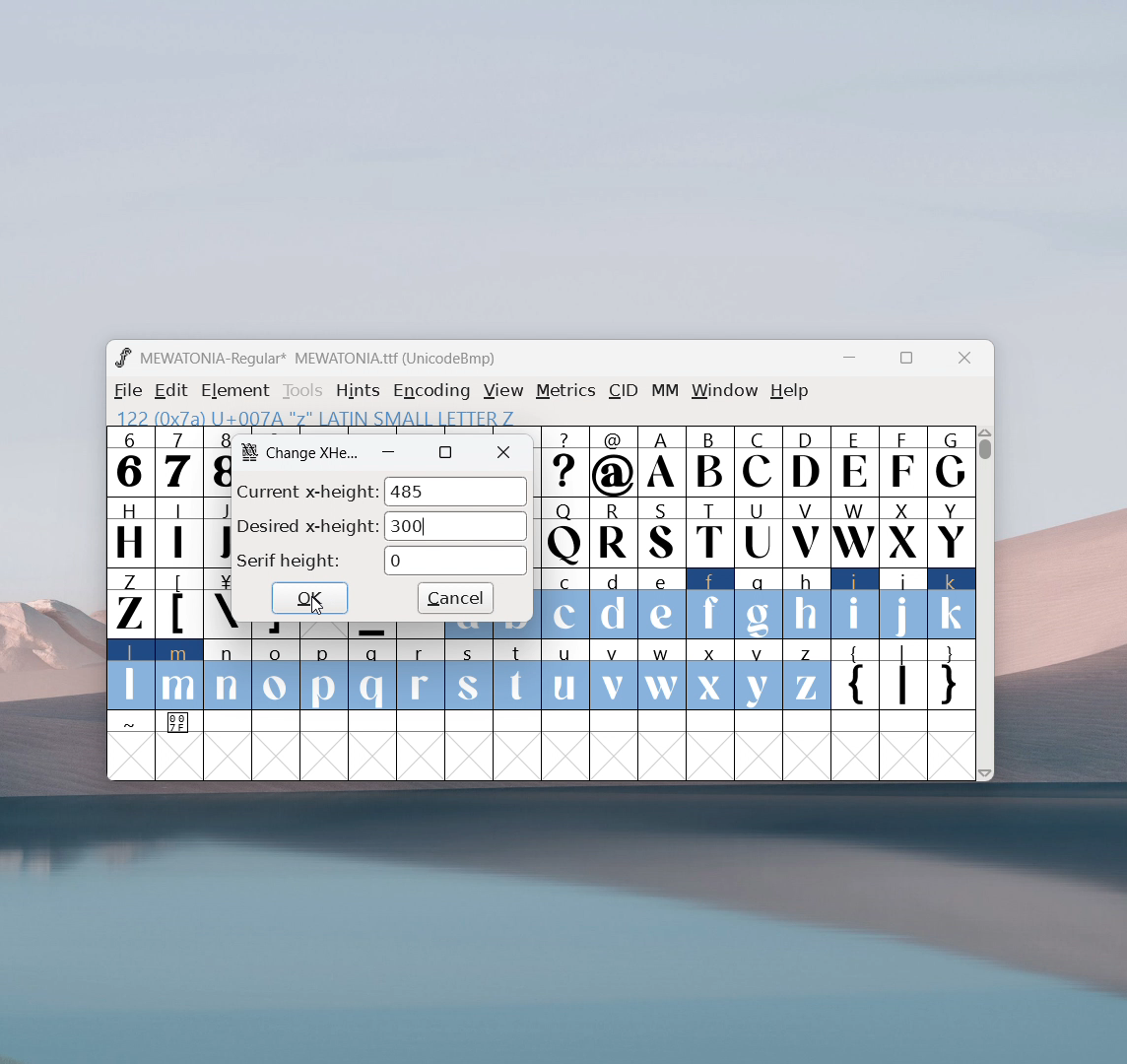 The height and width of the screenshot is (1064, 1127). I want to click on maximize, so click(905, 361).